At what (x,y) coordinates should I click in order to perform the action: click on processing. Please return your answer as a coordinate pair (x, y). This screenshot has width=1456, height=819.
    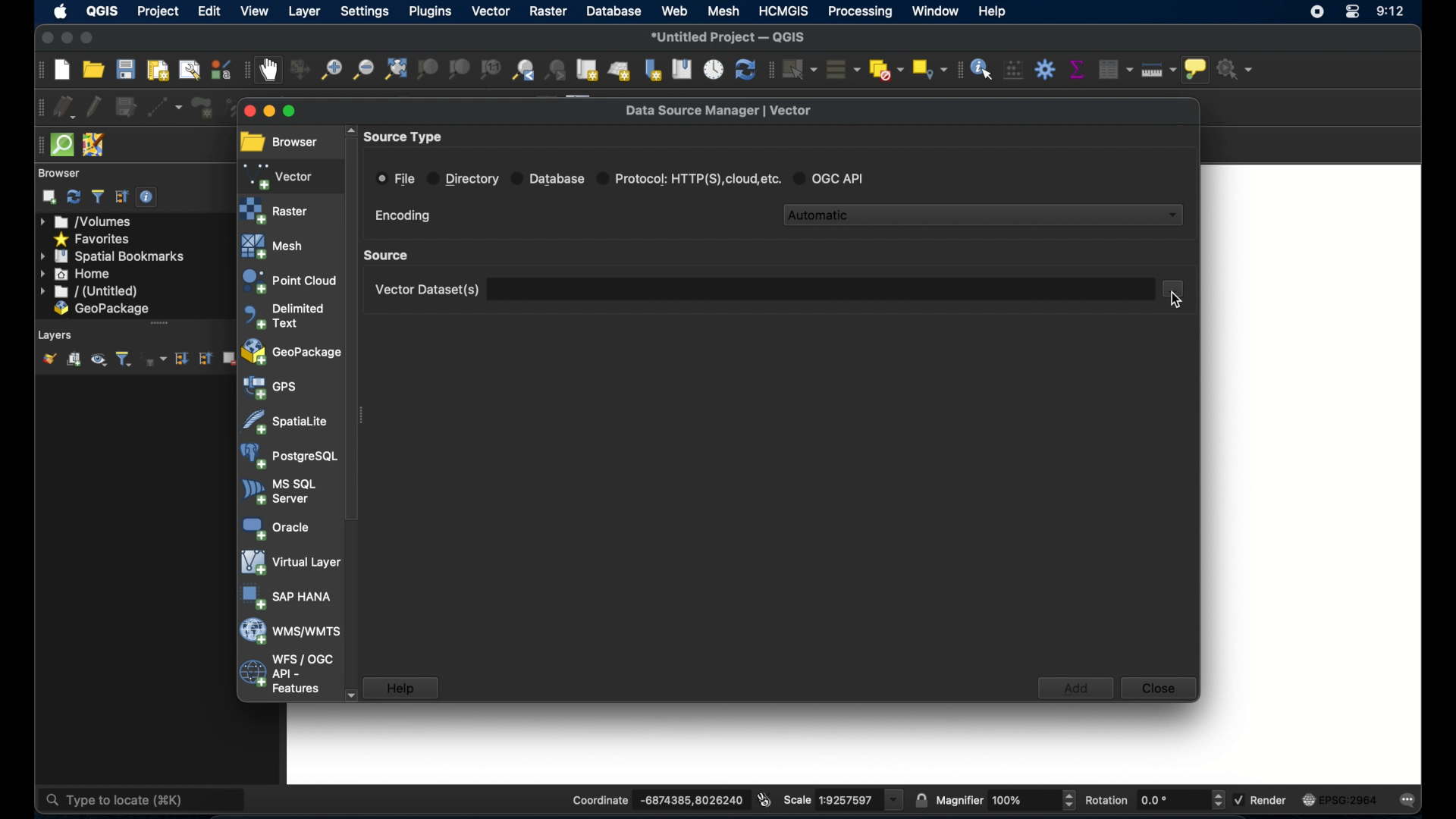
    Looking at the image, I should click on (862, 13).